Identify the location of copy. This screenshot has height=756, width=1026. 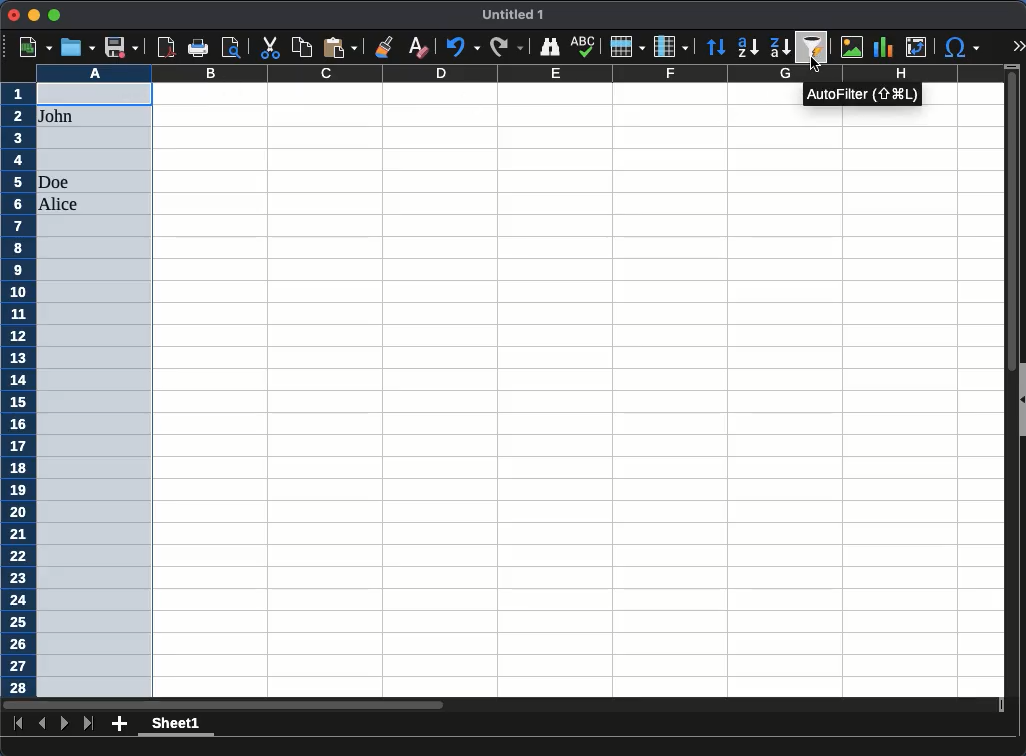
(303, 48).